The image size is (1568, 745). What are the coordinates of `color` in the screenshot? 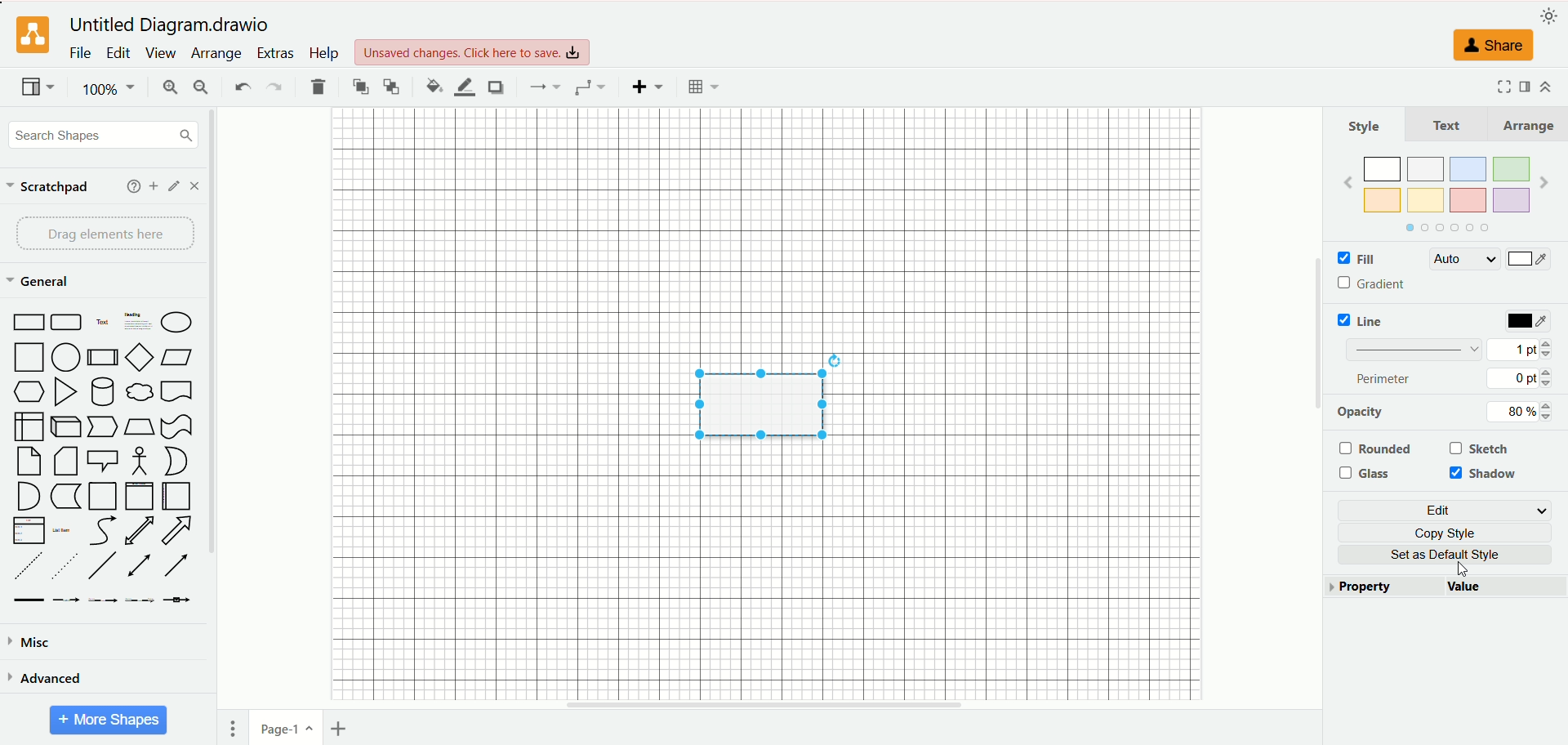 It's located at (1530, 322).